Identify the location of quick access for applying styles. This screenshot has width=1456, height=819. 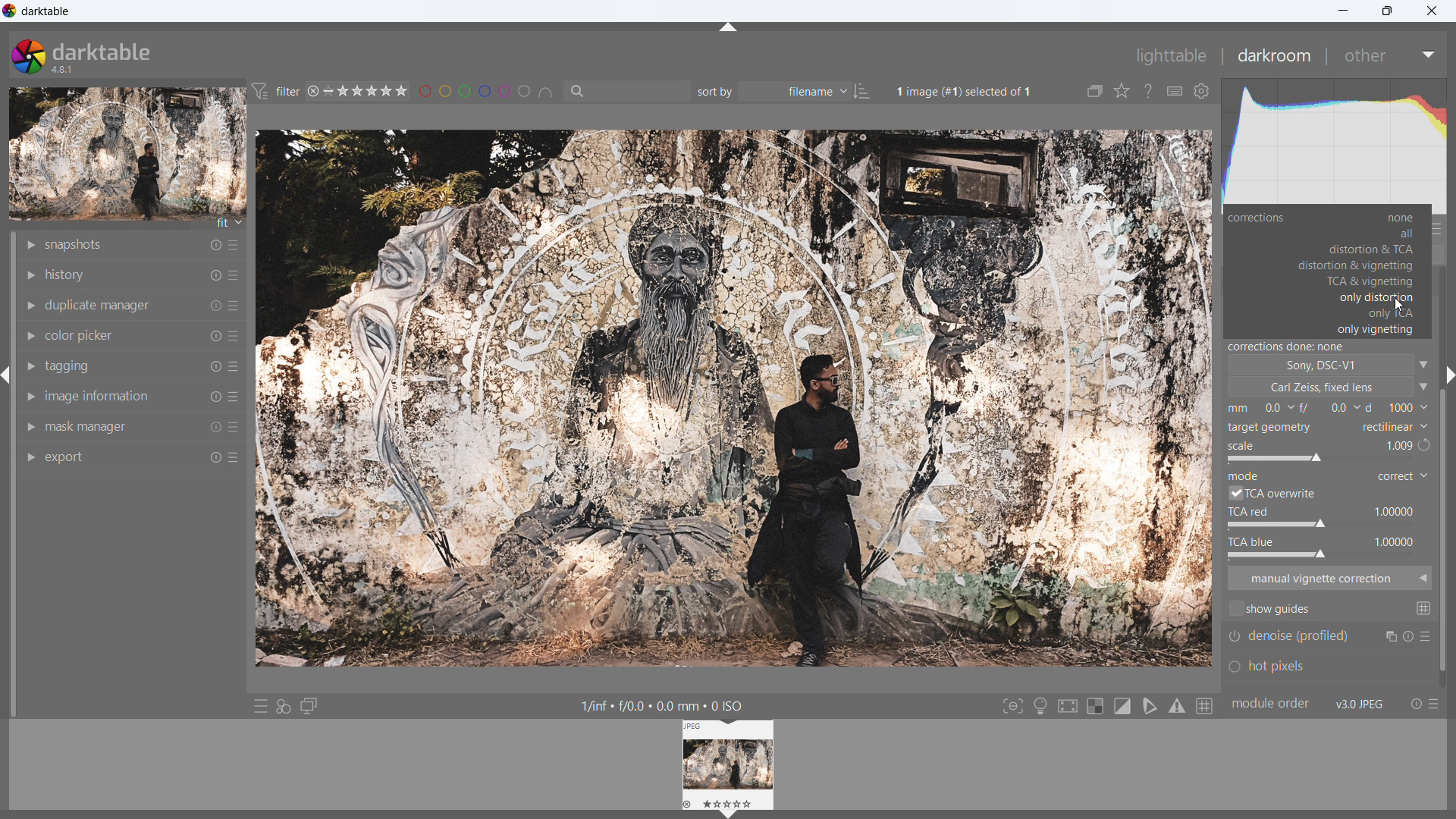
(284, 706).